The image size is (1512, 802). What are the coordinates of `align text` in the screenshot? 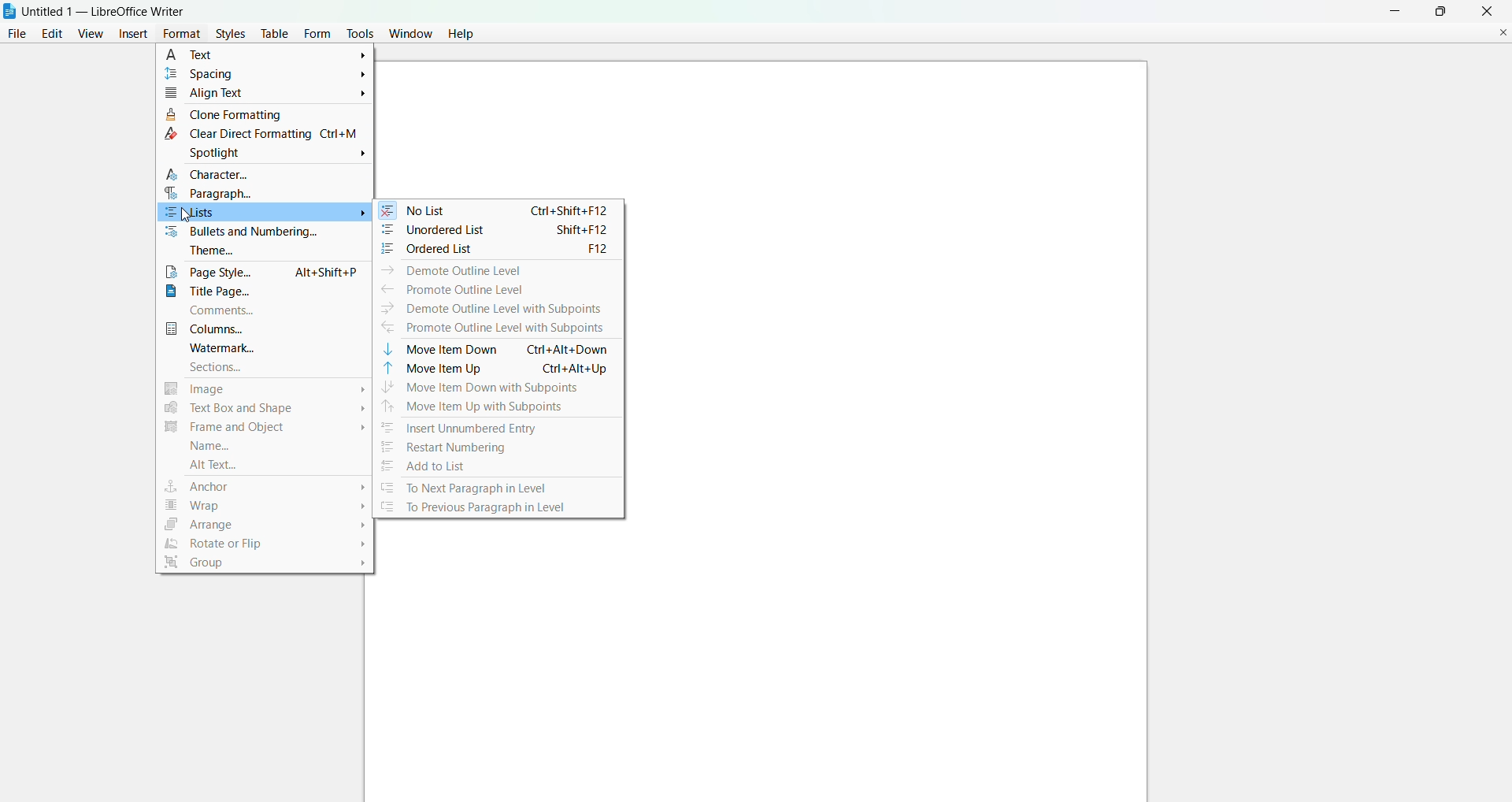 It's located at (262, 95).